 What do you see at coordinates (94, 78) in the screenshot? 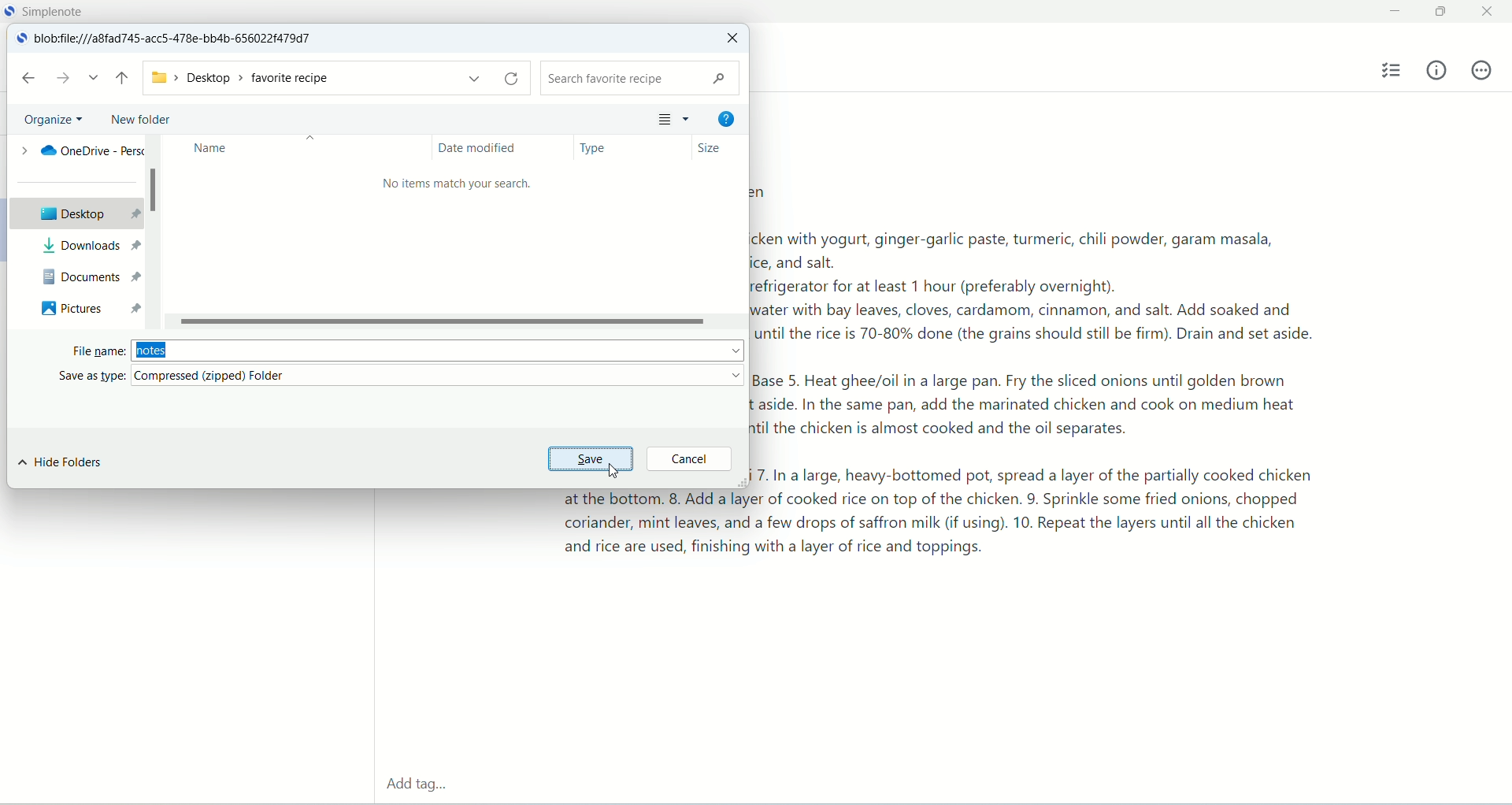
I see `recent location` at bounding box center [94, 78].